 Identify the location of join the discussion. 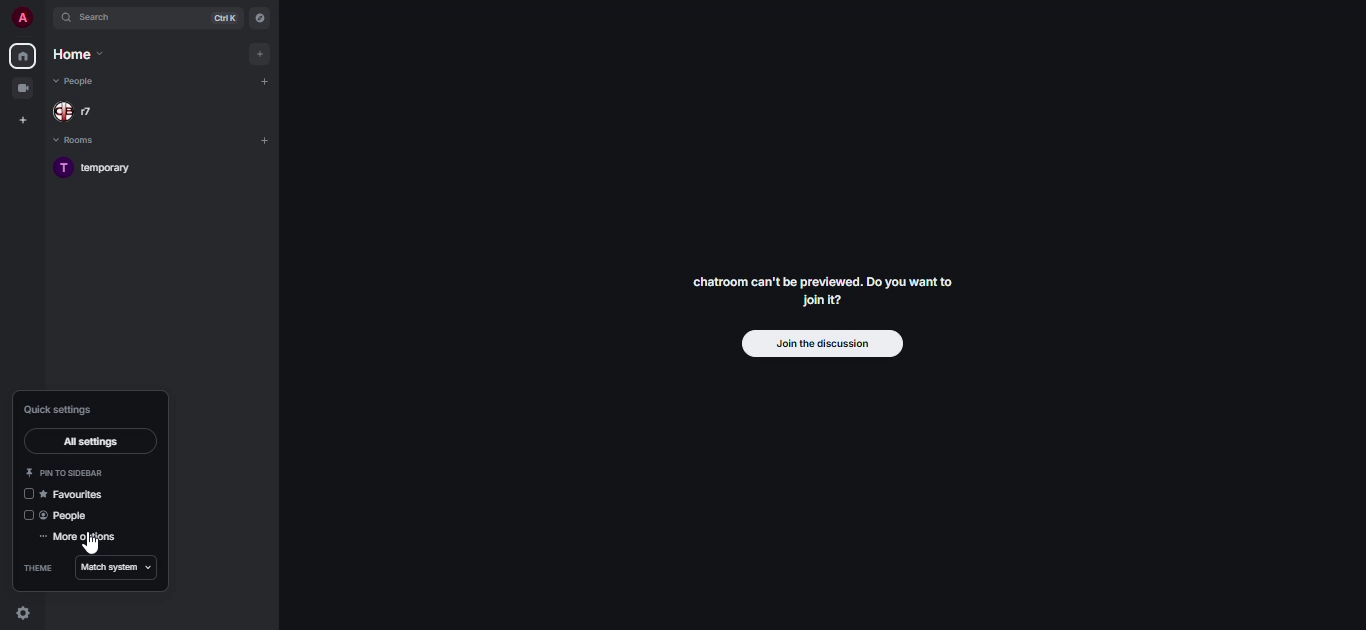
(820, 343).